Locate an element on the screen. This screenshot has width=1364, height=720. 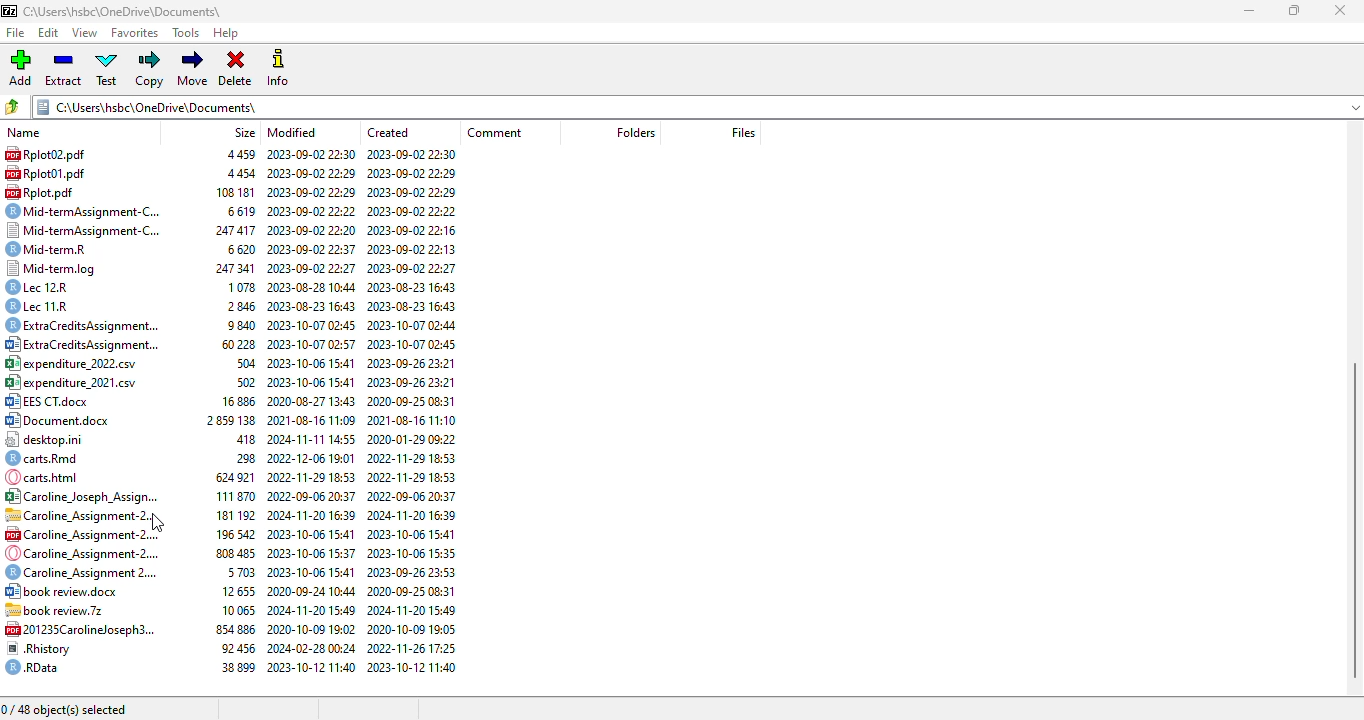
browse files is located at coordinates (14, 106).